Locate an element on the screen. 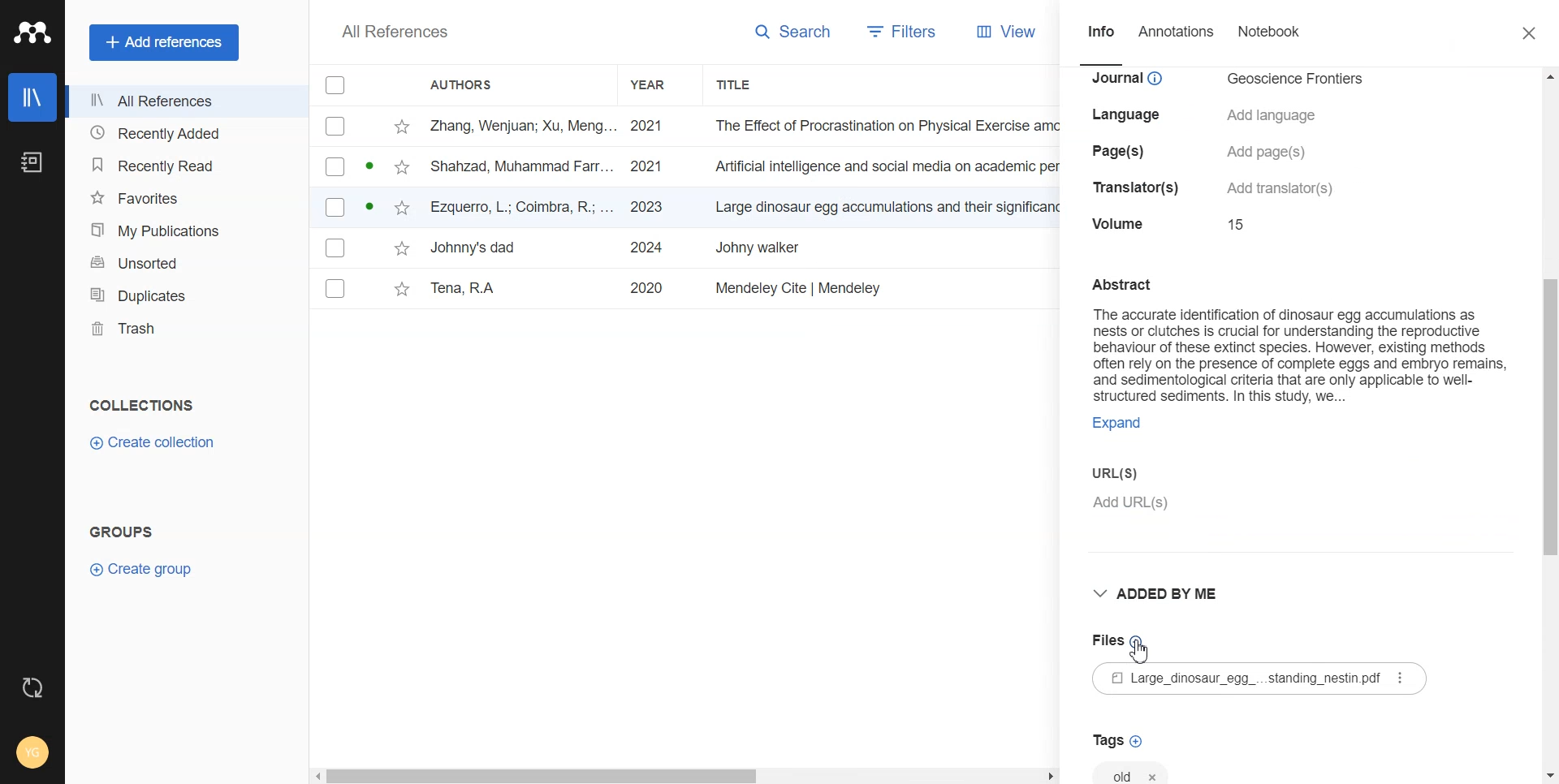  File is located at coordinates (749, 166).